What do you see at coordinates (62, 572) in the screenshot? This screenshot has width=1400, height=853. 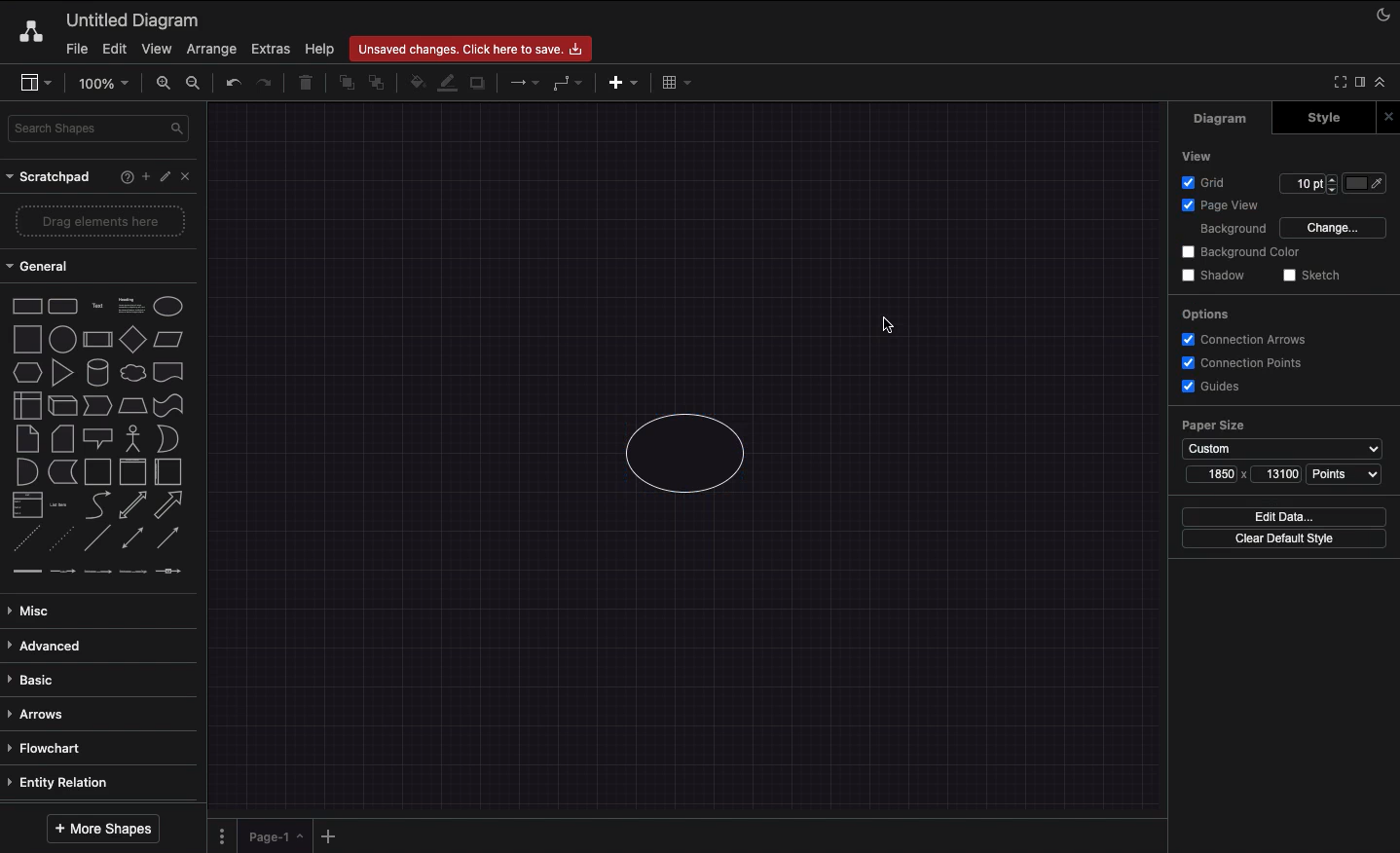 I see `connector 2` at bounding box center [62, 572].